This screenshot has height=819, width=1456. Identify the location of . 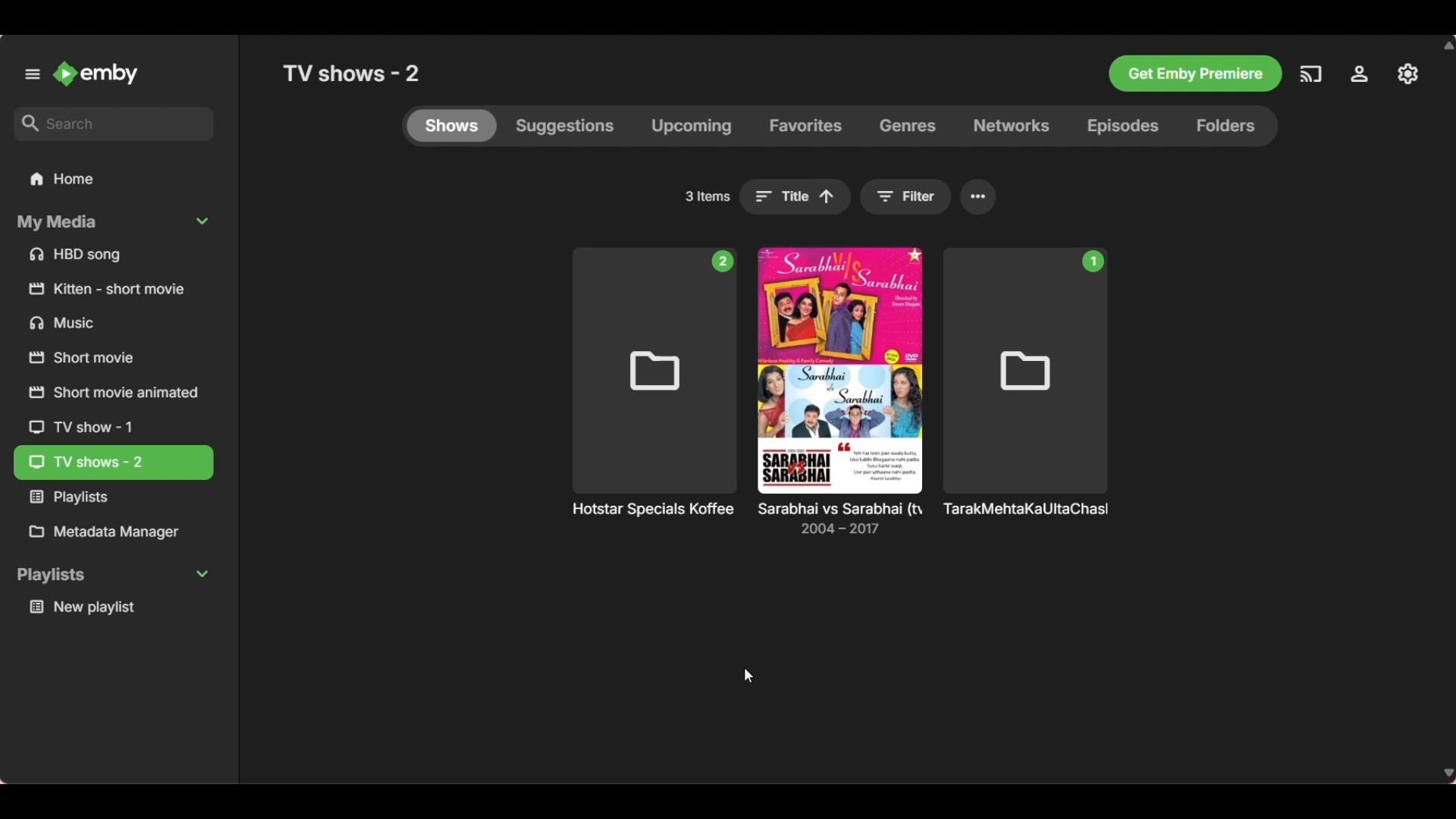
(654, 386).